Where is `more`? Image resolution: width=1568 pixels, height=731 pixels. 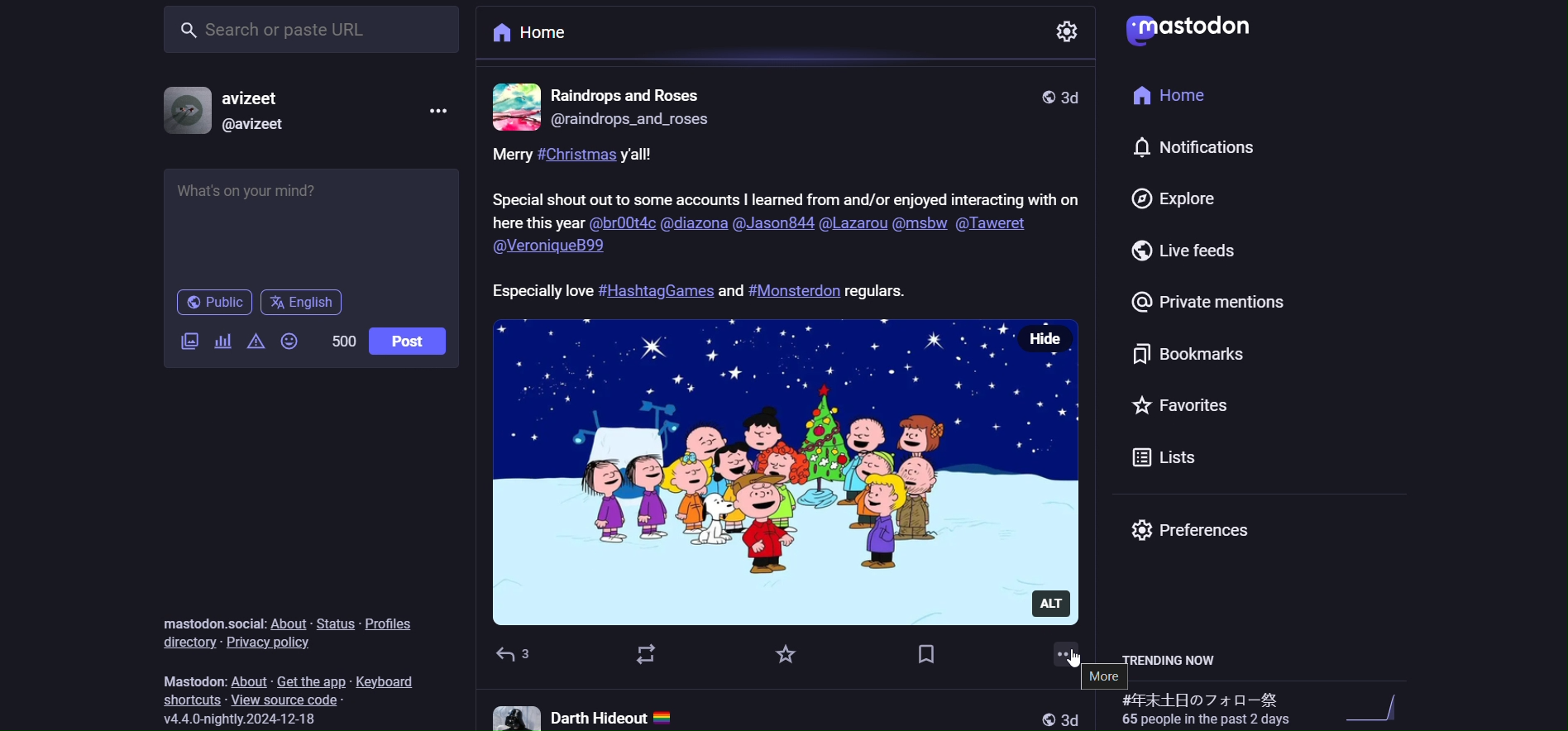 more is located at coordinates (1065, 652).